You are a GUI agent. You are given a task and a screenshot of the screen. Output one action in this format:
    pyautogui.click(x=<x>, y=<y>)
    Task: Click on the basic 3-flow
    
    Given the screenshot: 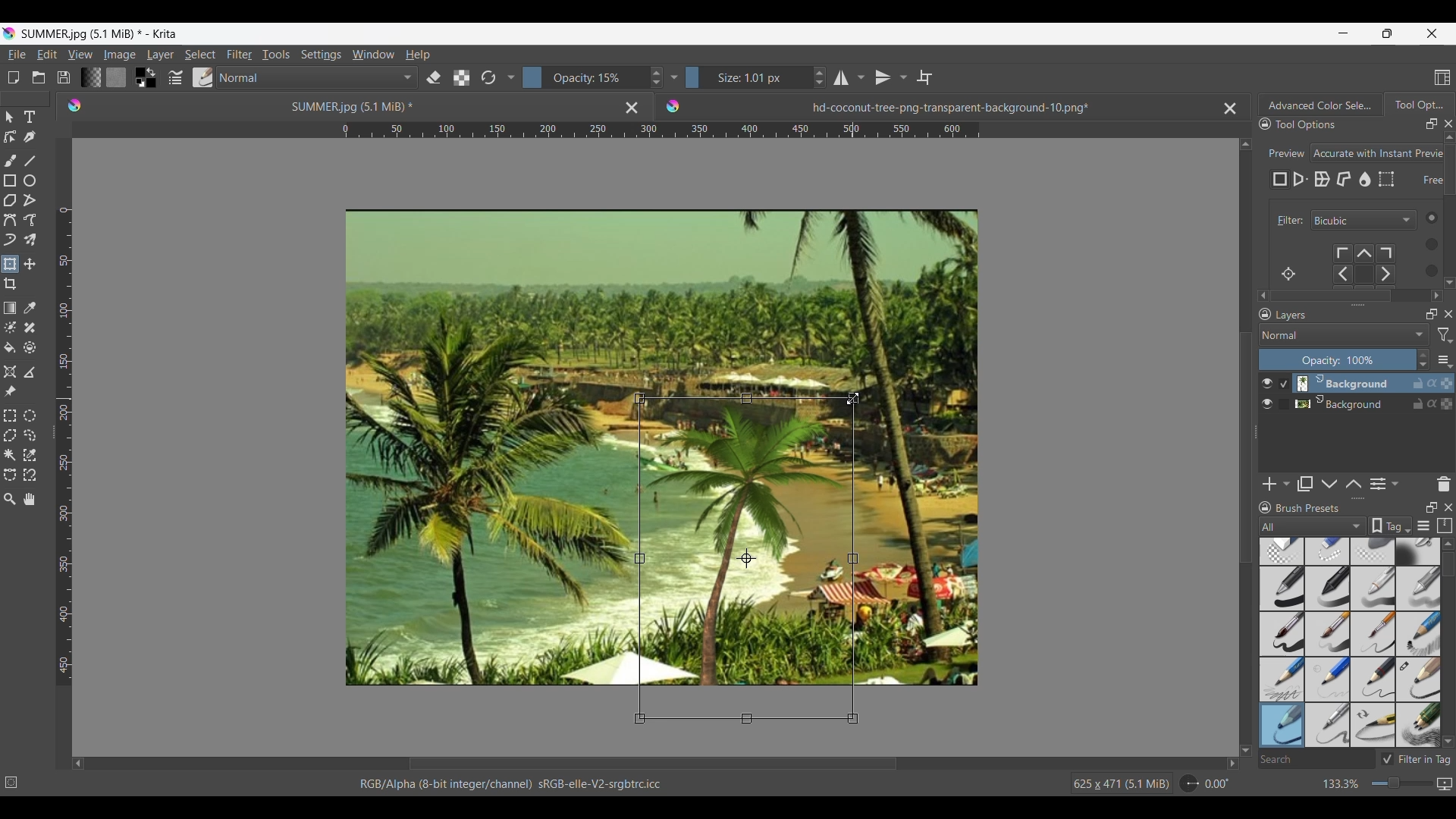 What is the action you would take?
    pyautogui.click(x=1373, y=588)
    